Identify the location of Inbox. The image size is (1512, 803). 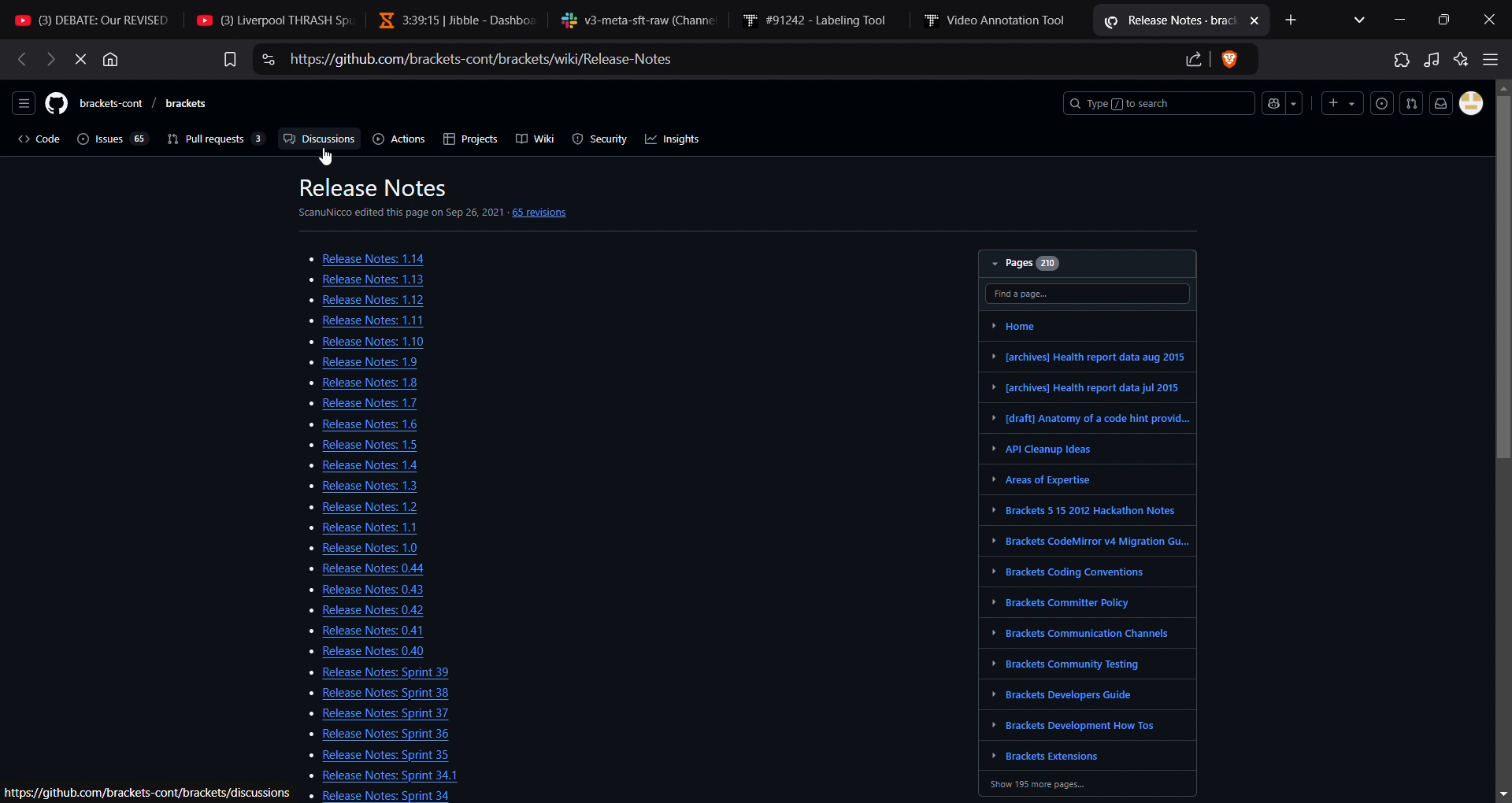
(1441, 102).